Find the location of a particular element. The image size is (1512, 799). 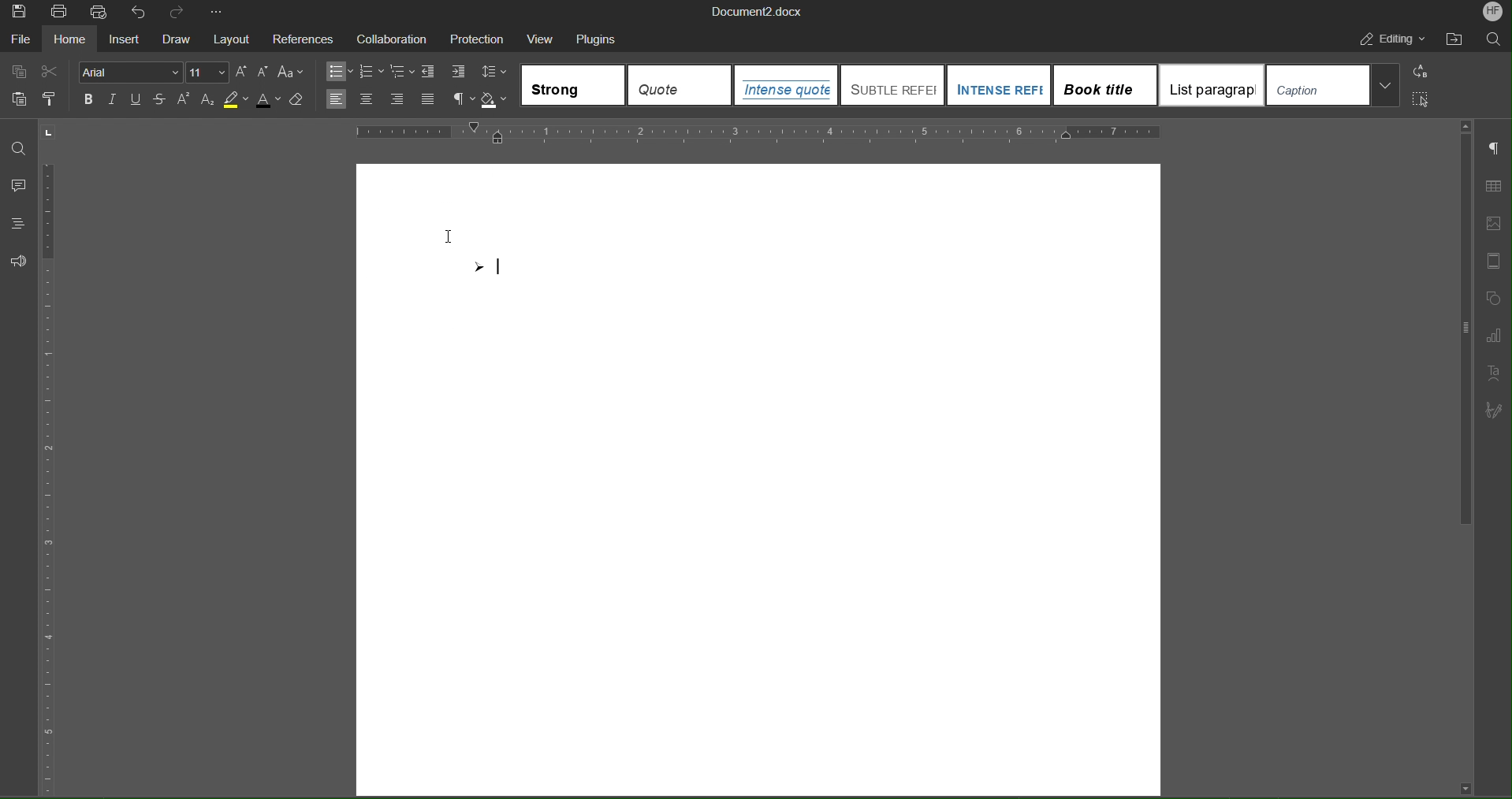

Print is located at coordinates (60, 14).